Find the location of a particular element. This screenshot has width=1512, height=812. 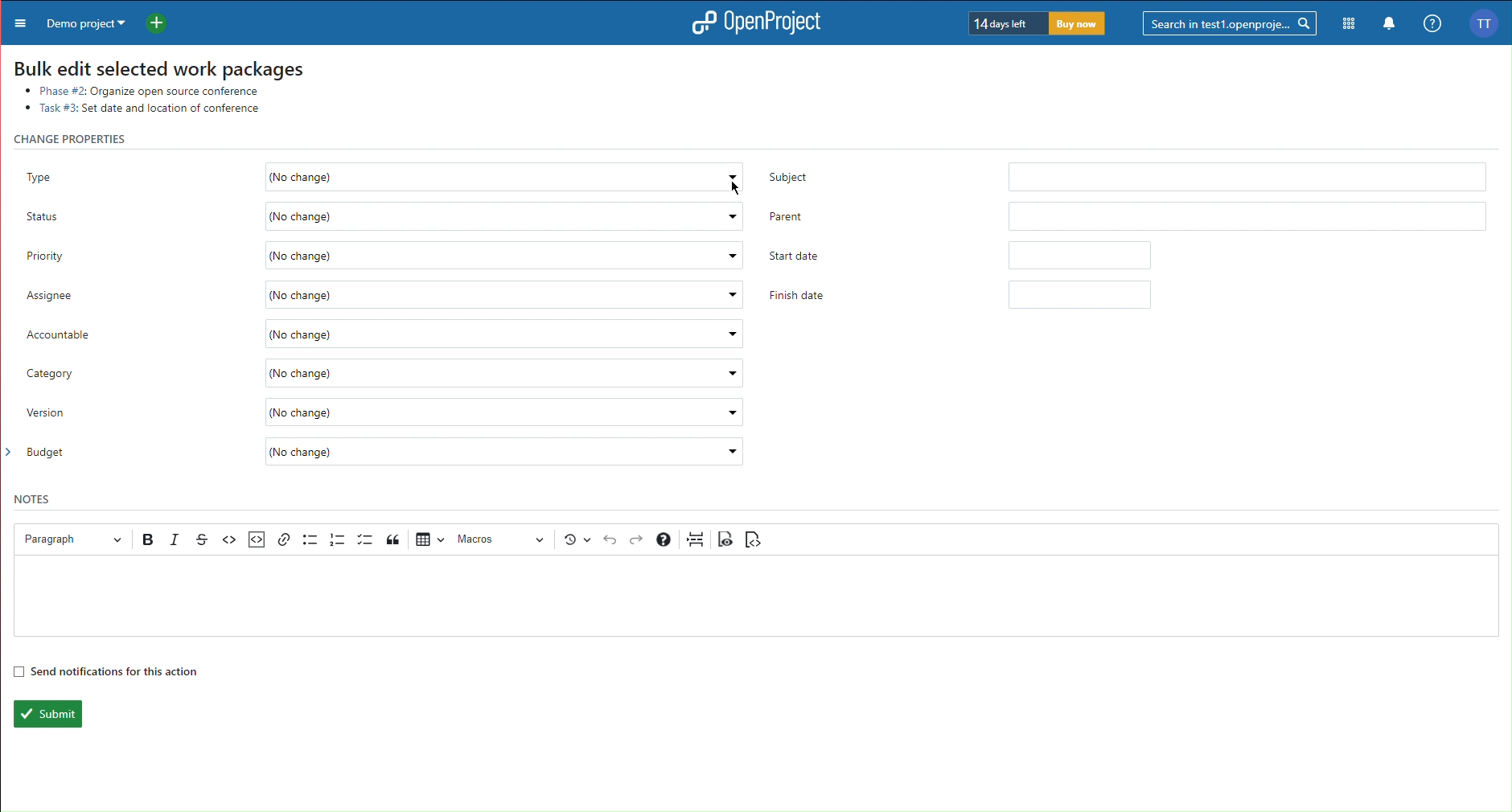

Strikethrough is located at coordinates (202, 539).